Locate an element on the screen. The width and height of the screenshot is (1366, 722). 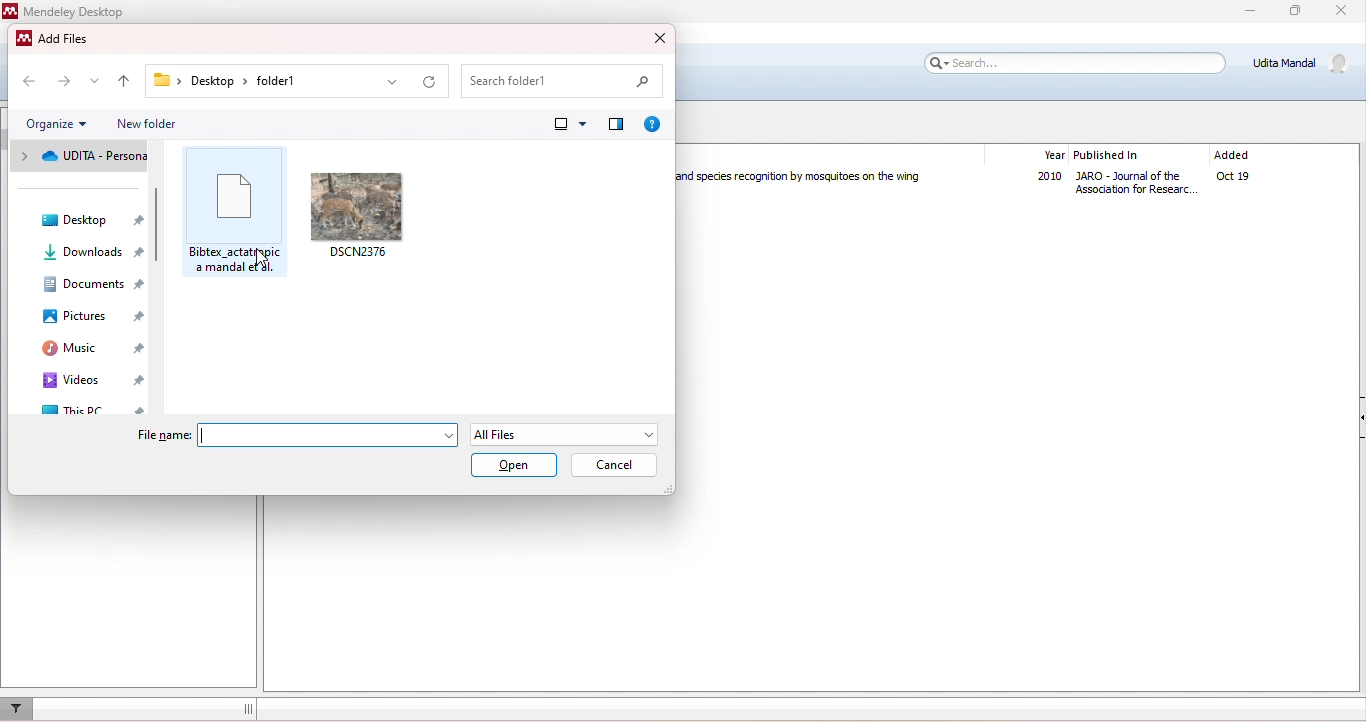
organize is located at coordinates (58, 123).